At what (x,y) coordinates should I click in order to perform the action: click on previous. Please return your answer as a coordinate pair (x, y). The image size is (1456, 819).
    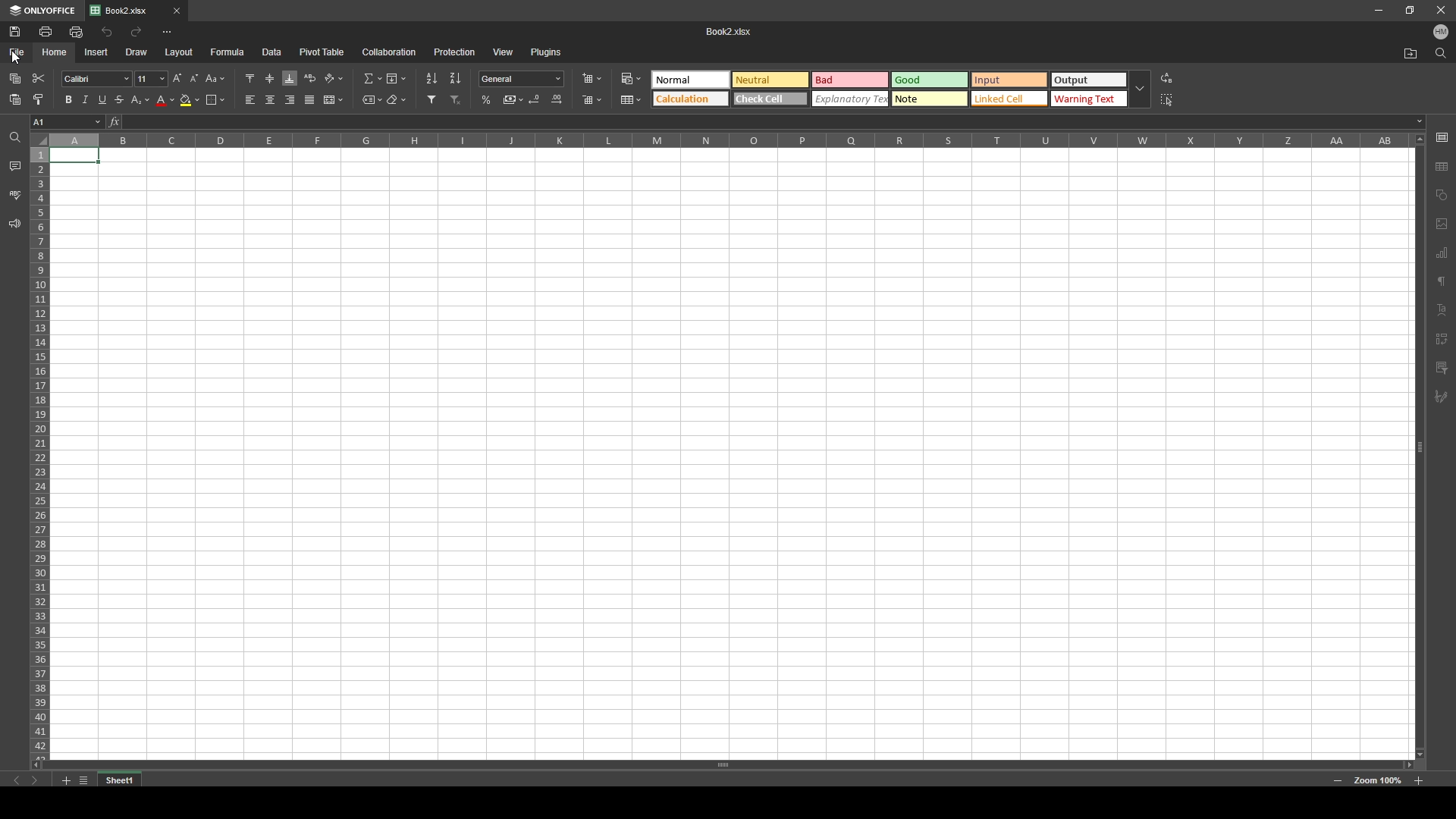
    Looking at the image, I should click on (17, 781).